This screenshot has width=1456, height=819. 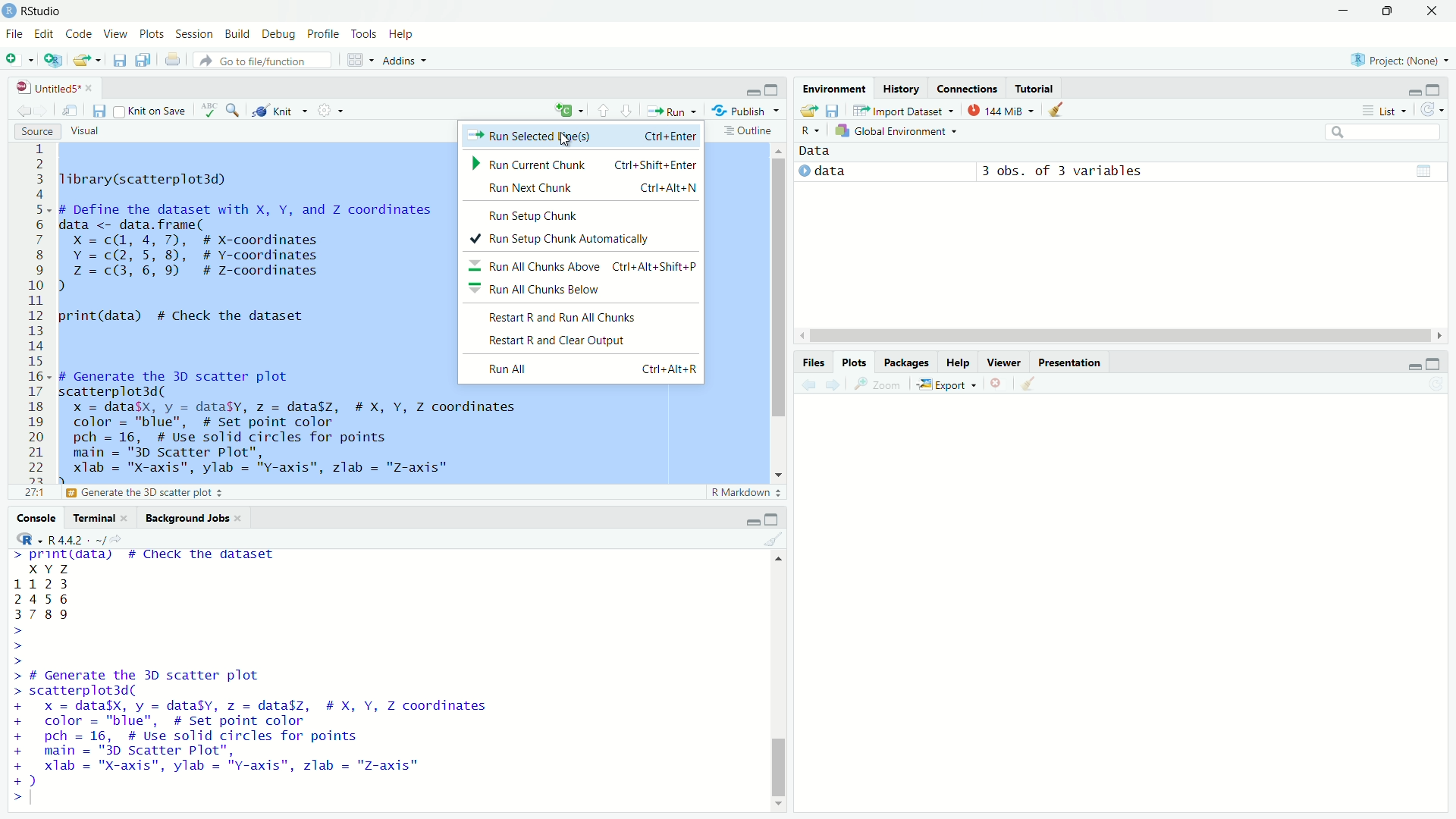 What do you see at coordinates (9, 9) in the screenshot?
I see `logo` at bounding box center [9, 9].